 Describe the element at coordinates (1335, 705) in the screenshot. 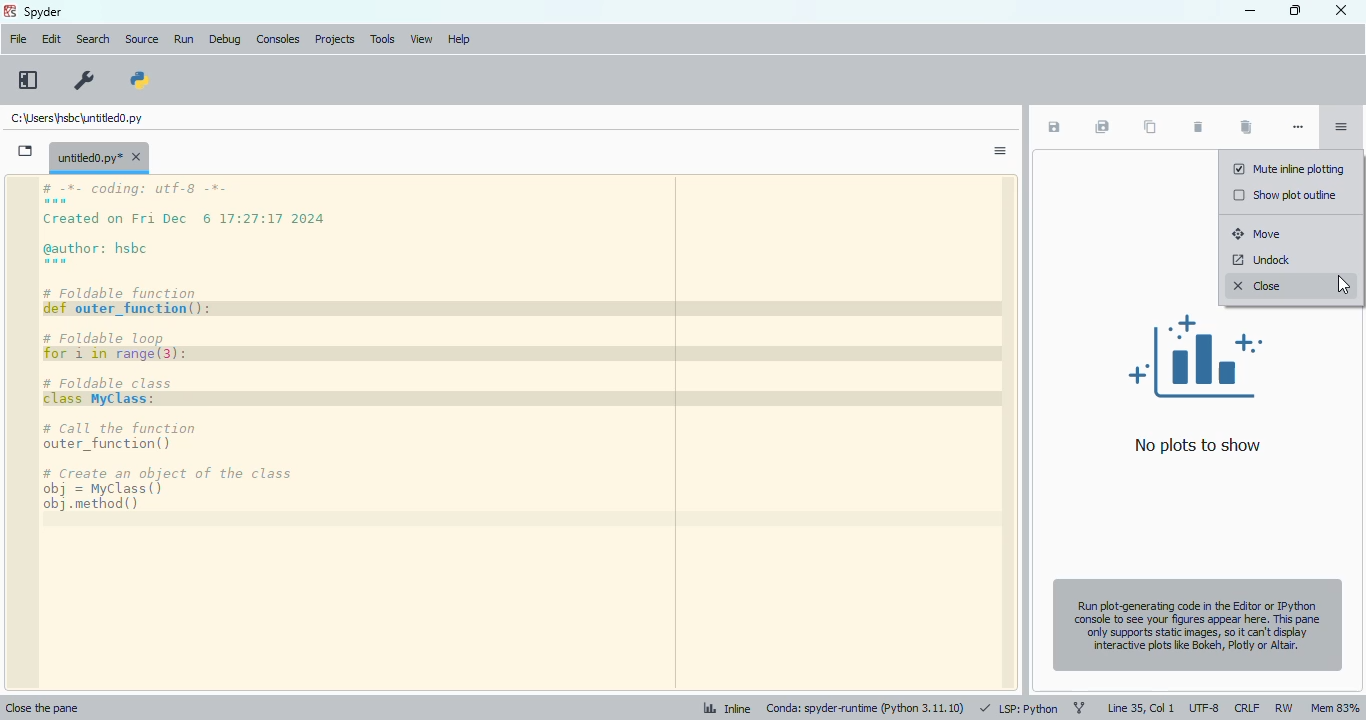

I see `Mem 83%` at that location.